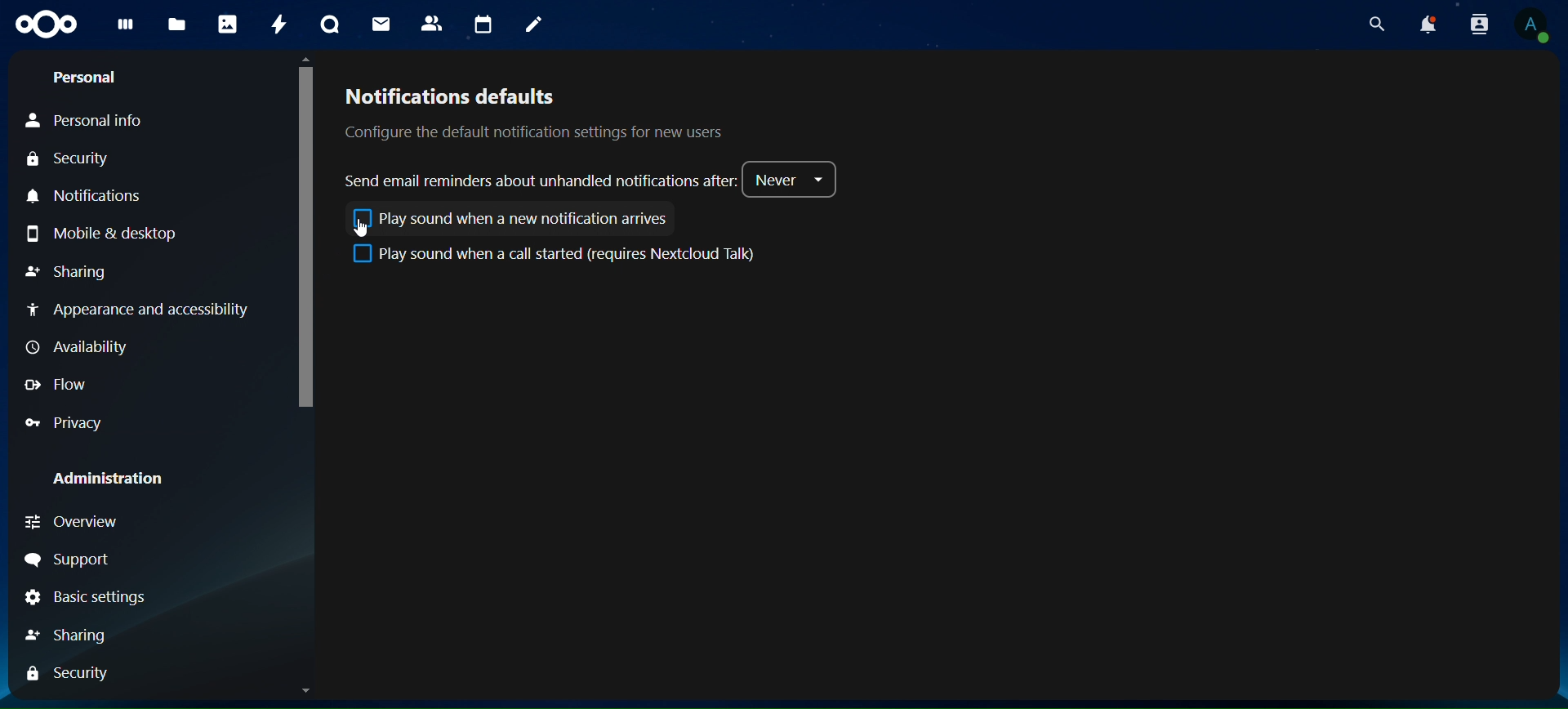 This screenshot has width=1568, height=709. Describe the element at coordinates (67, 561) in the screenshot. I see `Support` at that location.